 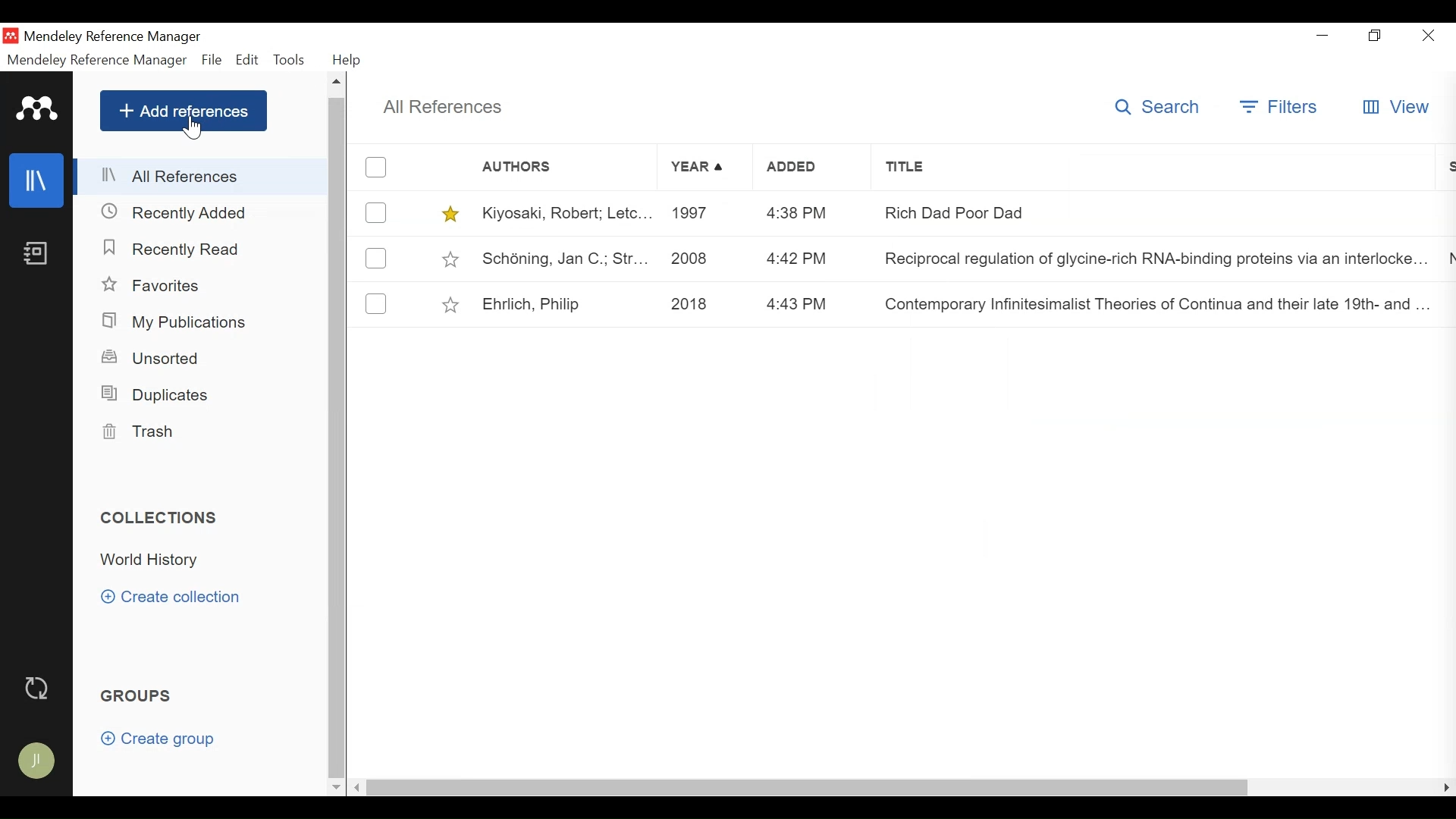 I want to click on Schöning, Jan C.; Str..., so click(x=565, y=259).